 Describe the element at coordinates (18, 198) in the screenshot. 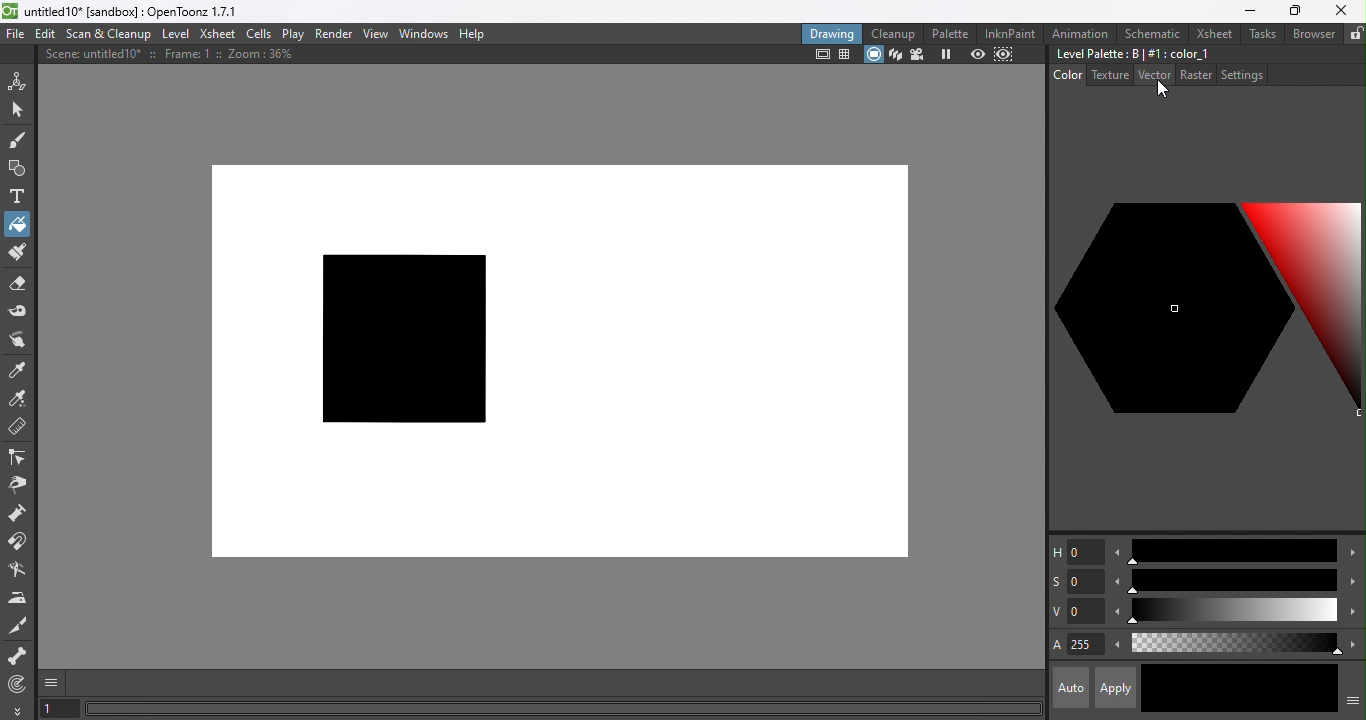

I see `Type tool` at that location.